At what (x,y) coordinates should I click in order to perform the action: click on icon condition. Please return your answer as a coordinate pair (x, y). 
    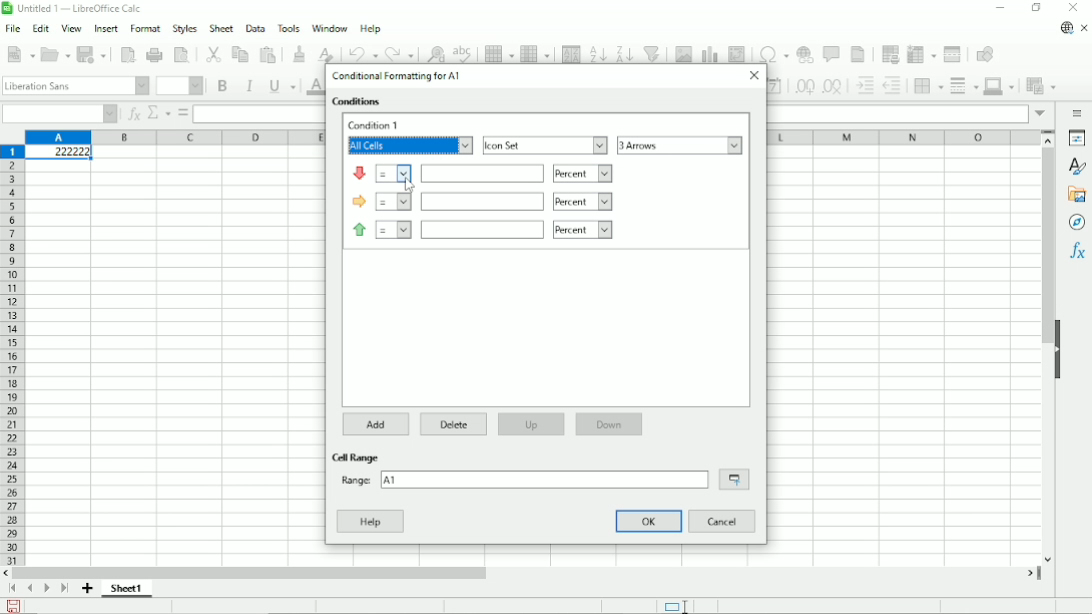
    Looking at the image, I should click on (447, 173).